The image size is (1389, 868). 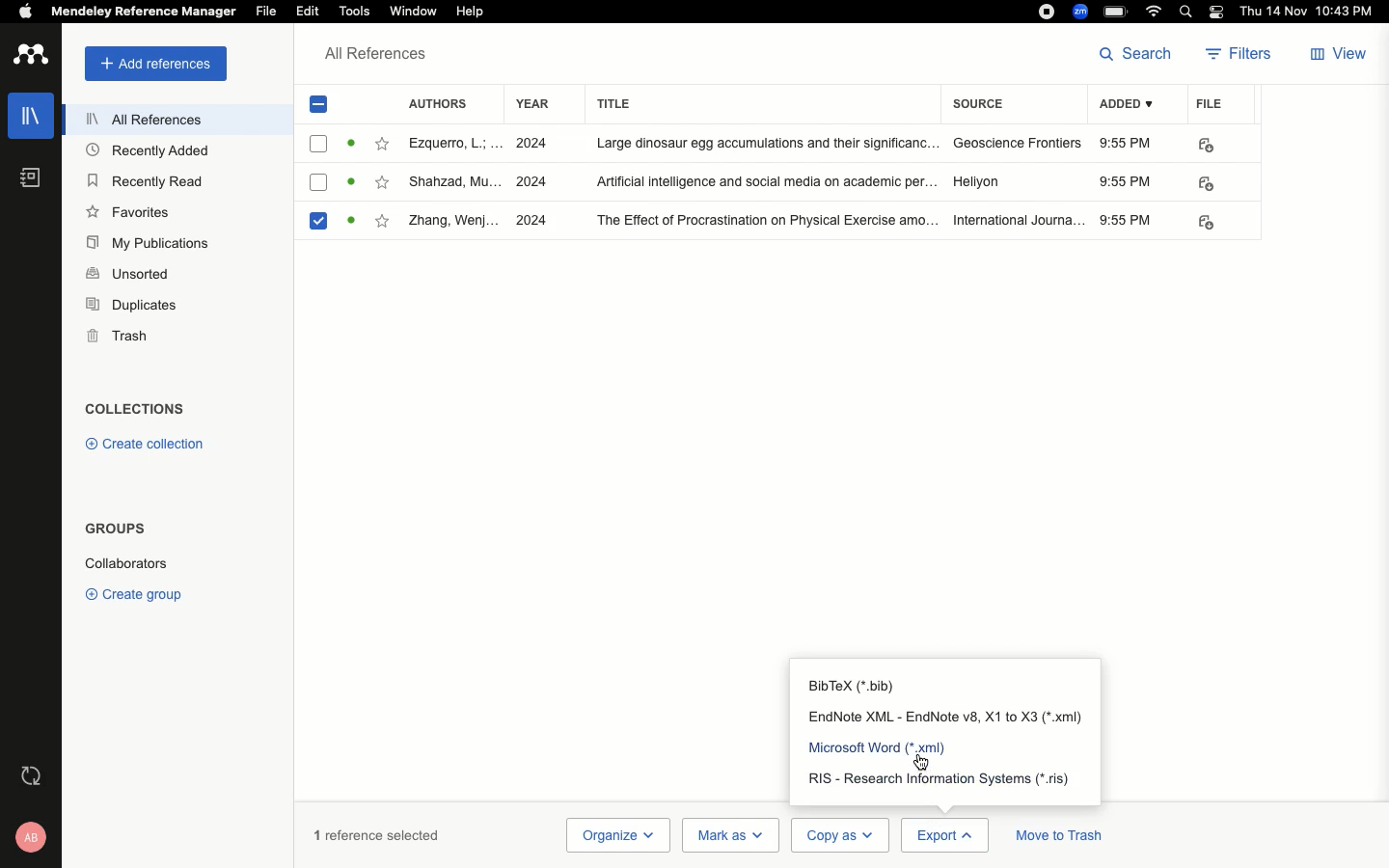 I want to click on artificial intelligence and social media on academic, so click(x=766, y=179).